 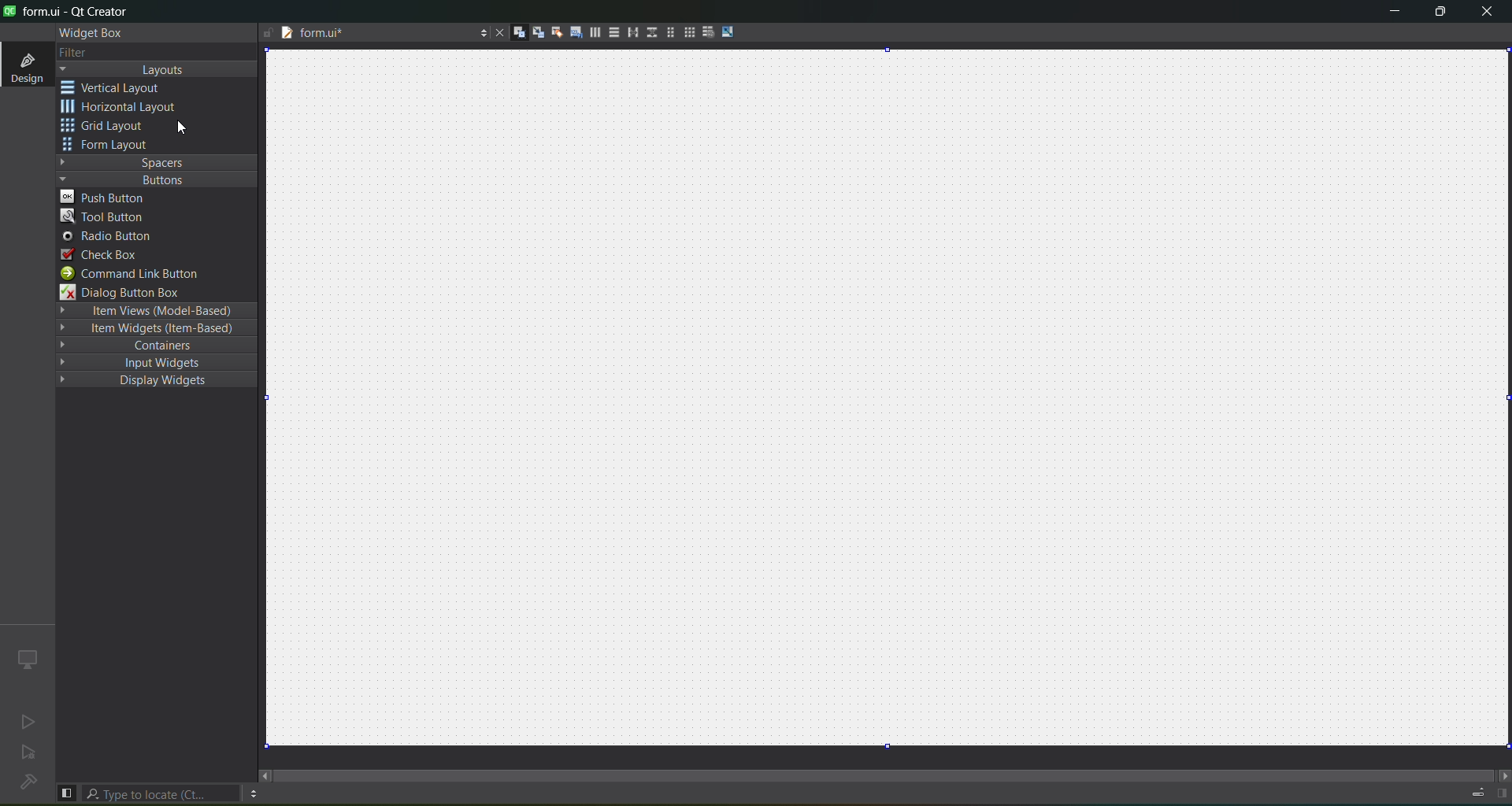 I want to click on horizontal layoutt, so click(x=595, y=35).